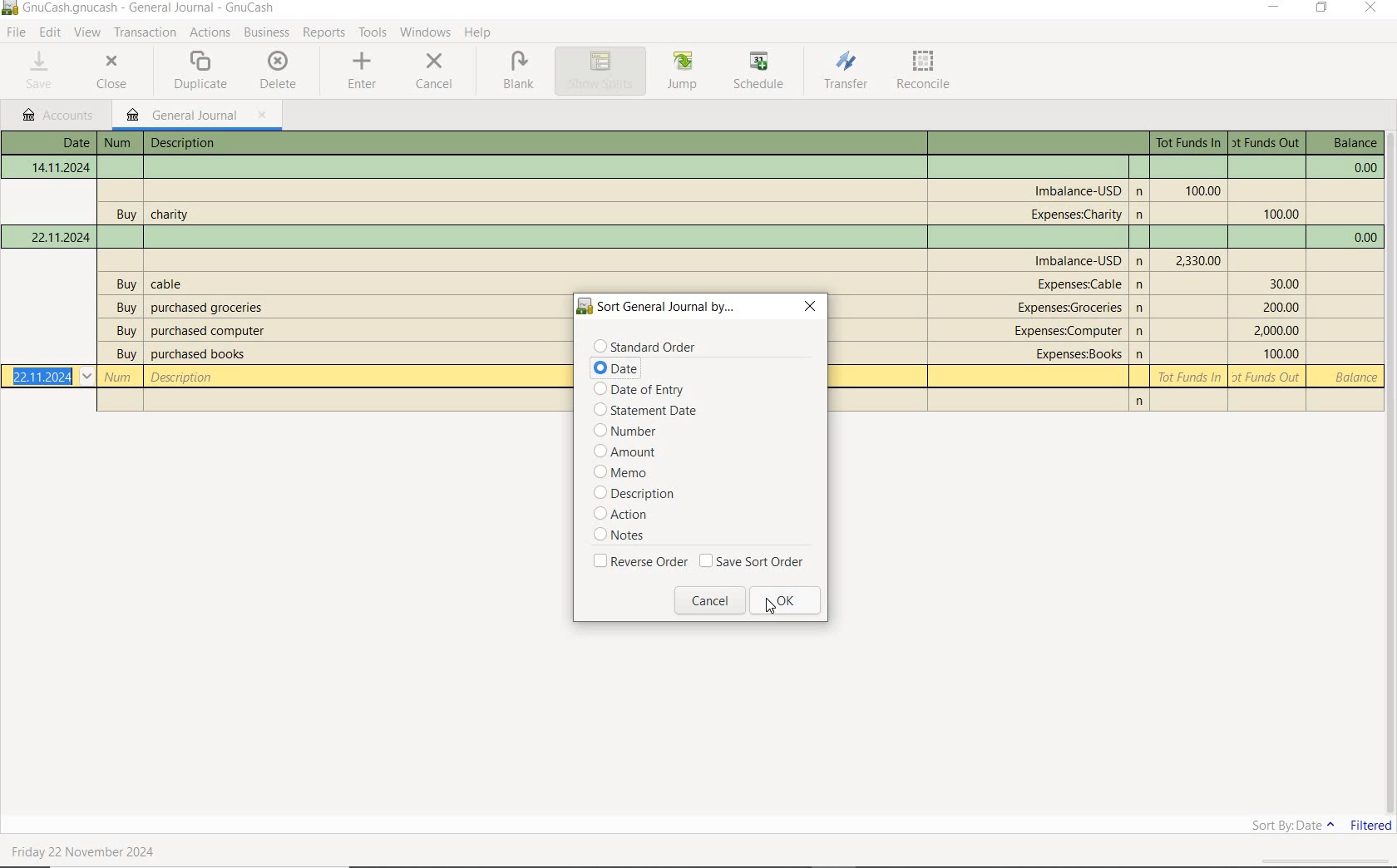 This screenshot has width=1397, height=868. Describe the element at coordinates (124, 215) in the screenshot. I see `buy` at that location.